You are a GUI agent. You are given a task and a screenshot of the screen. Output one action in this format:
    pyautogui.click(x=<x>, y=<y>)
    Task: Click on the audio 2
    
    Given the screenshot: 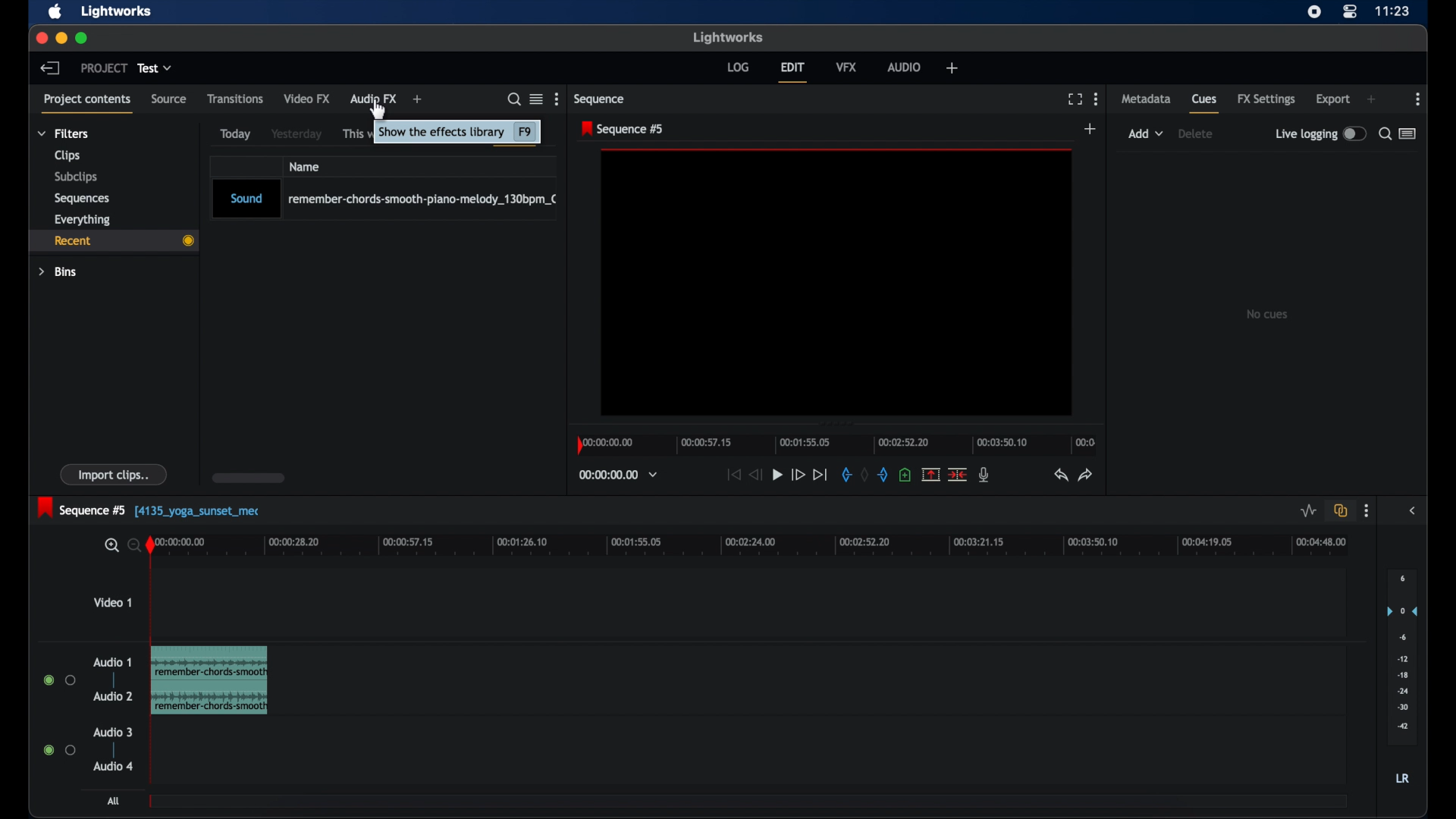 What is the action you would take?
    pyautogui.click(x=113, y=695)
    